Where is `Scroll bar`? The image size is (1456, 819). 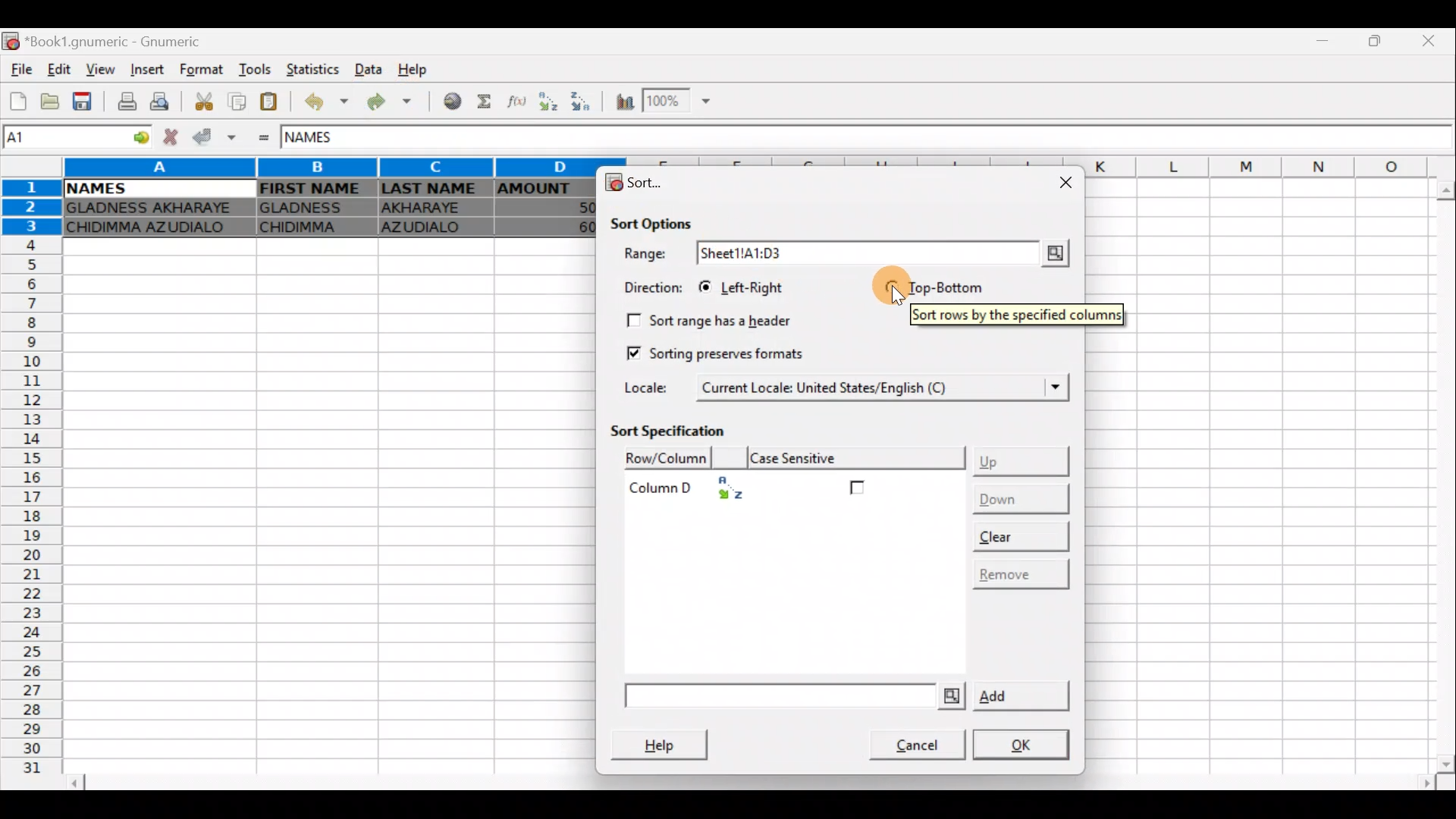 Scroll bar is located at coordinates (1437, 475).